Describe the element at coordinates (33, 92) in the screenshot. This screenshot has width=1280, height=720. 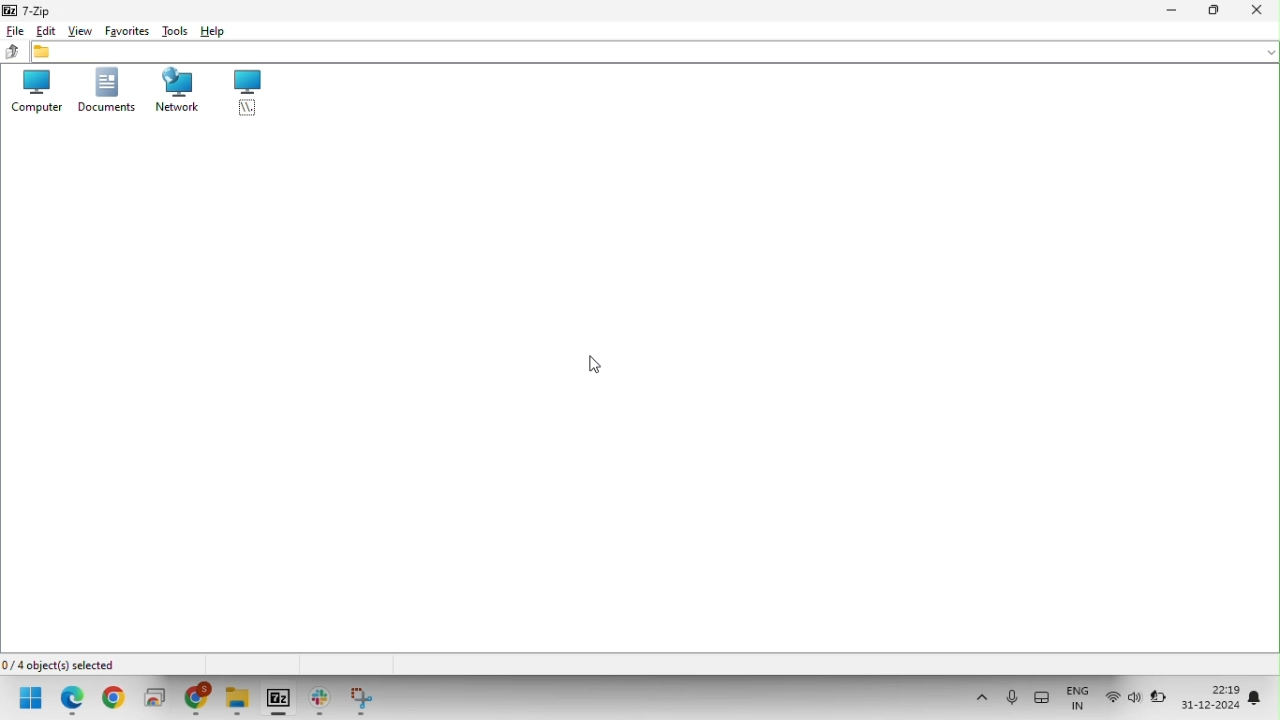
I see `Computer` at that location.